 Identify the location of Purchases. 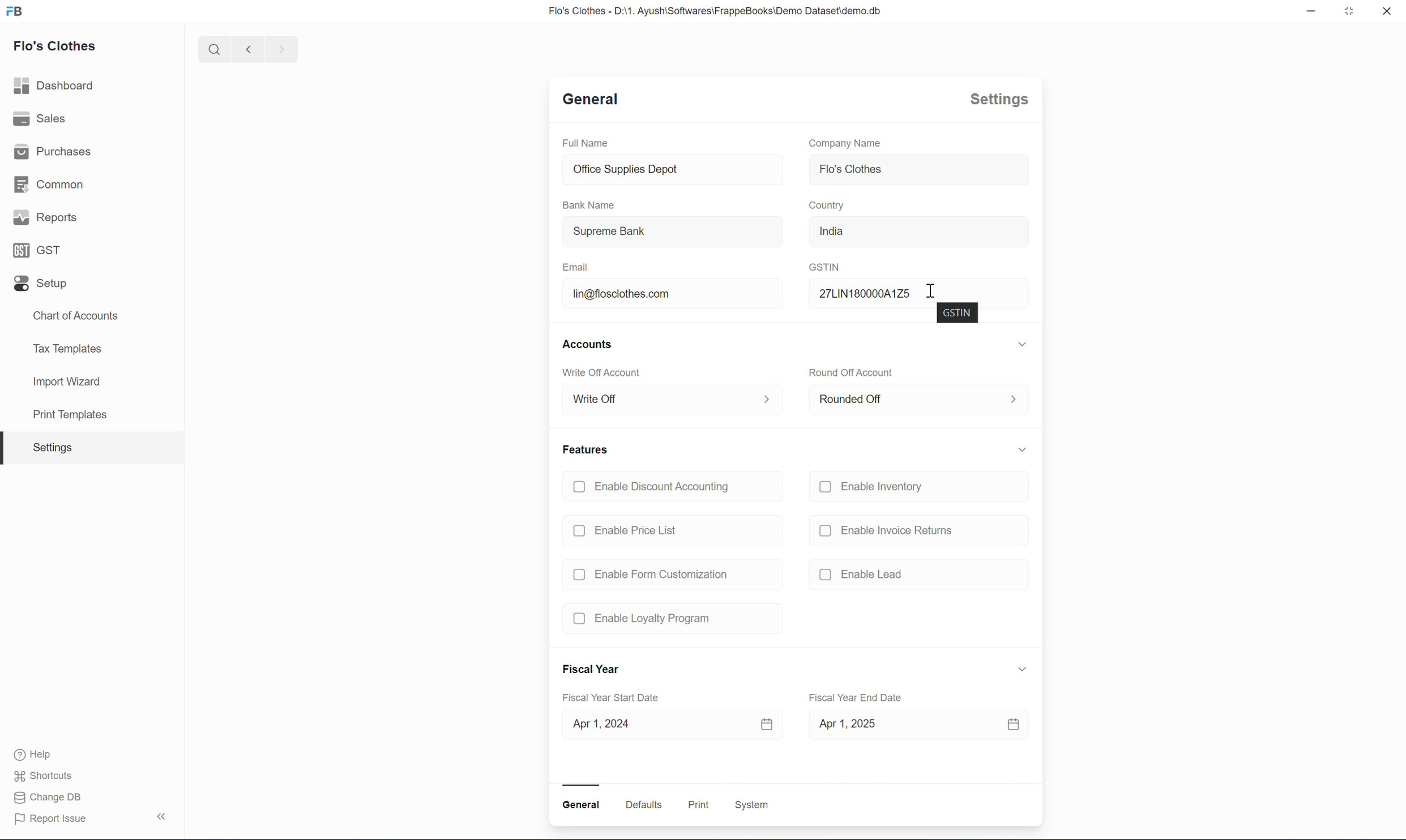
(52, 152).